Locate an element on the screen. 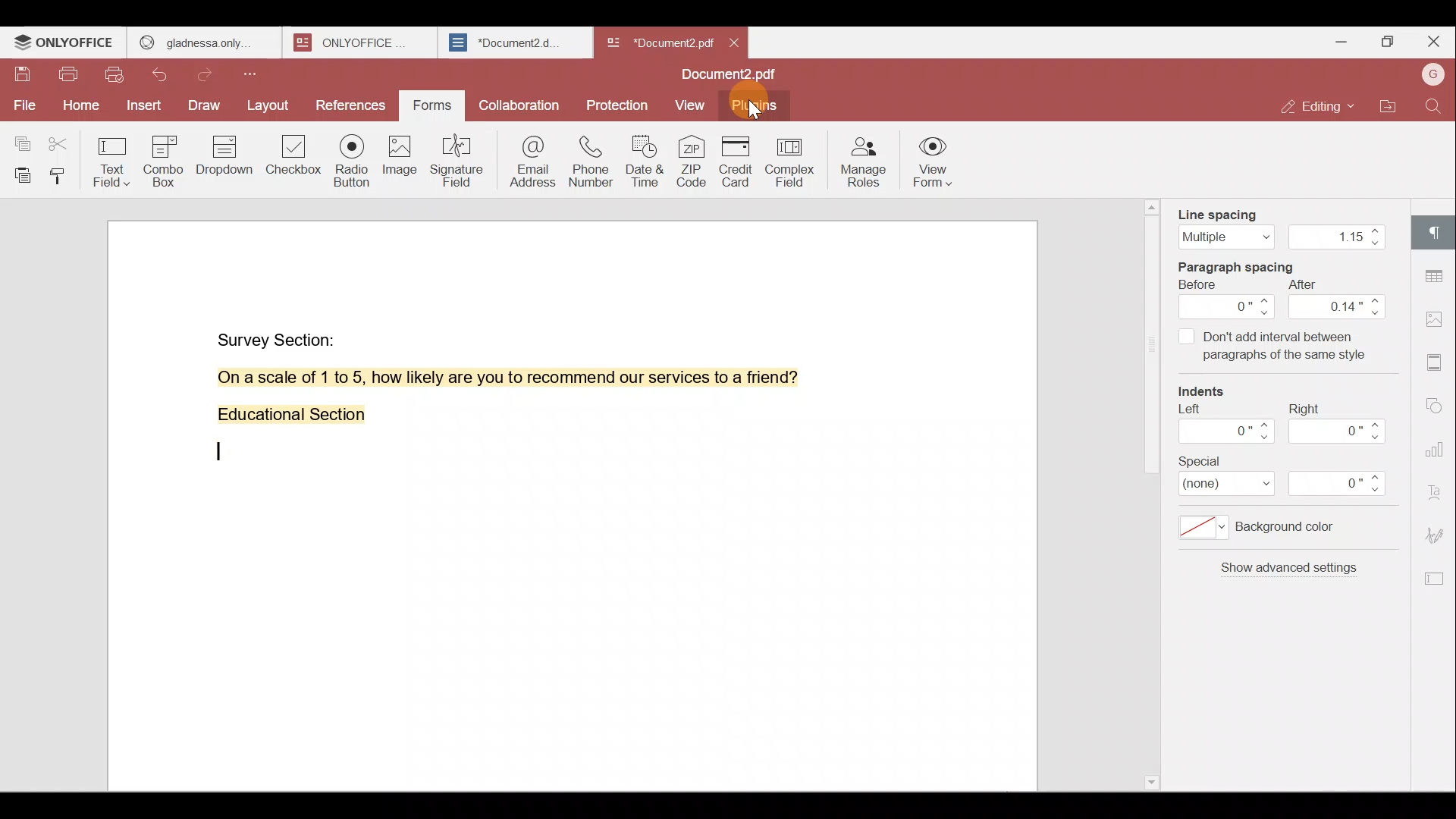 This screenshot has height=819, width=1456. Minimize is located at coordinates (1337, 40).